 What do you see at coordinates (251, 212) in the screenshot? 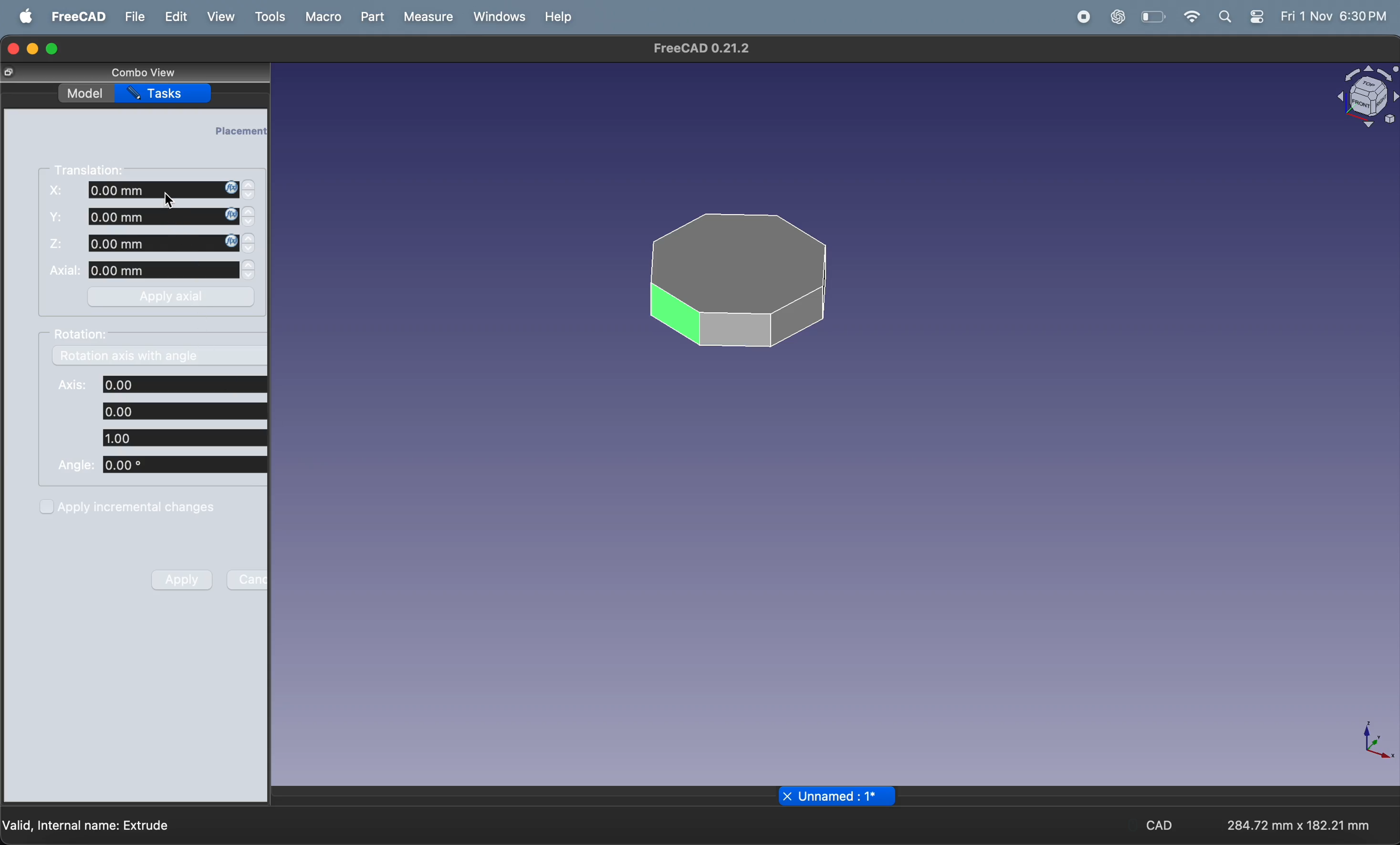
I see `up` at bounding box center [251, 212].